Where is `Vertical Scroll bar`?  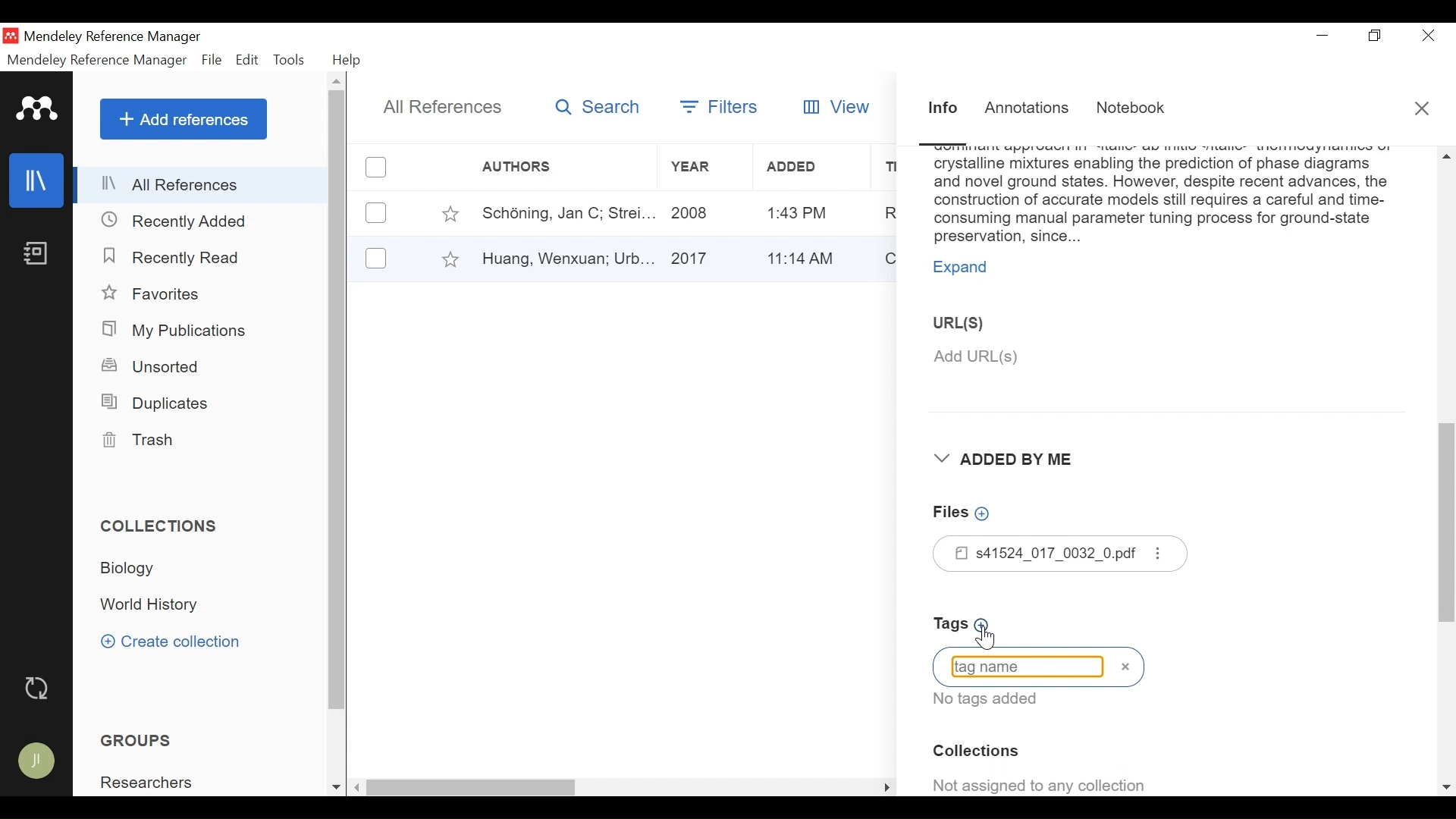 Vertical Scroll bar is located at coordinates (338, 400).